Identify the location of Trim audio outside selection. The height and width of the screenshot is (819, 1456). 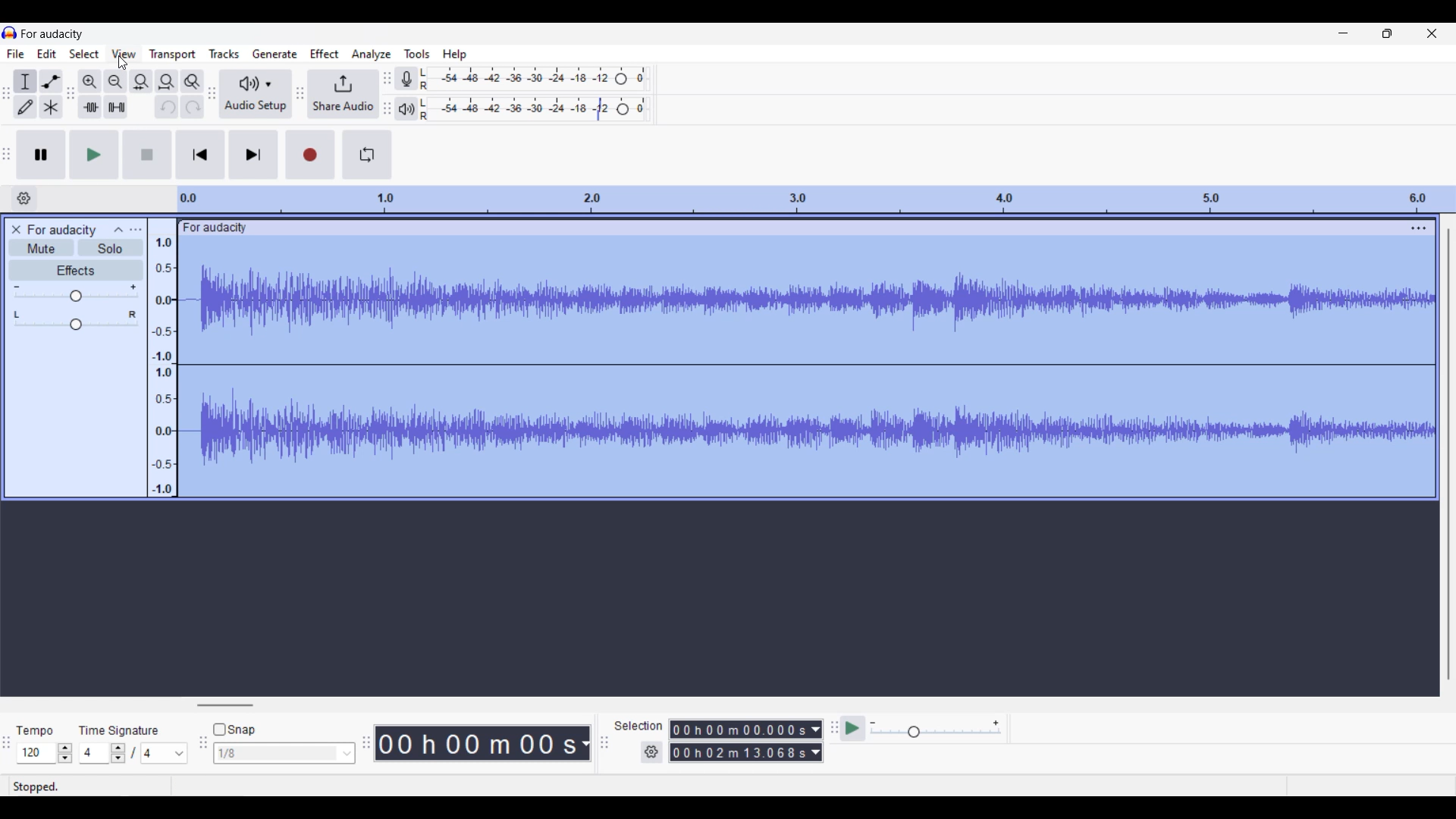
(90, 107).